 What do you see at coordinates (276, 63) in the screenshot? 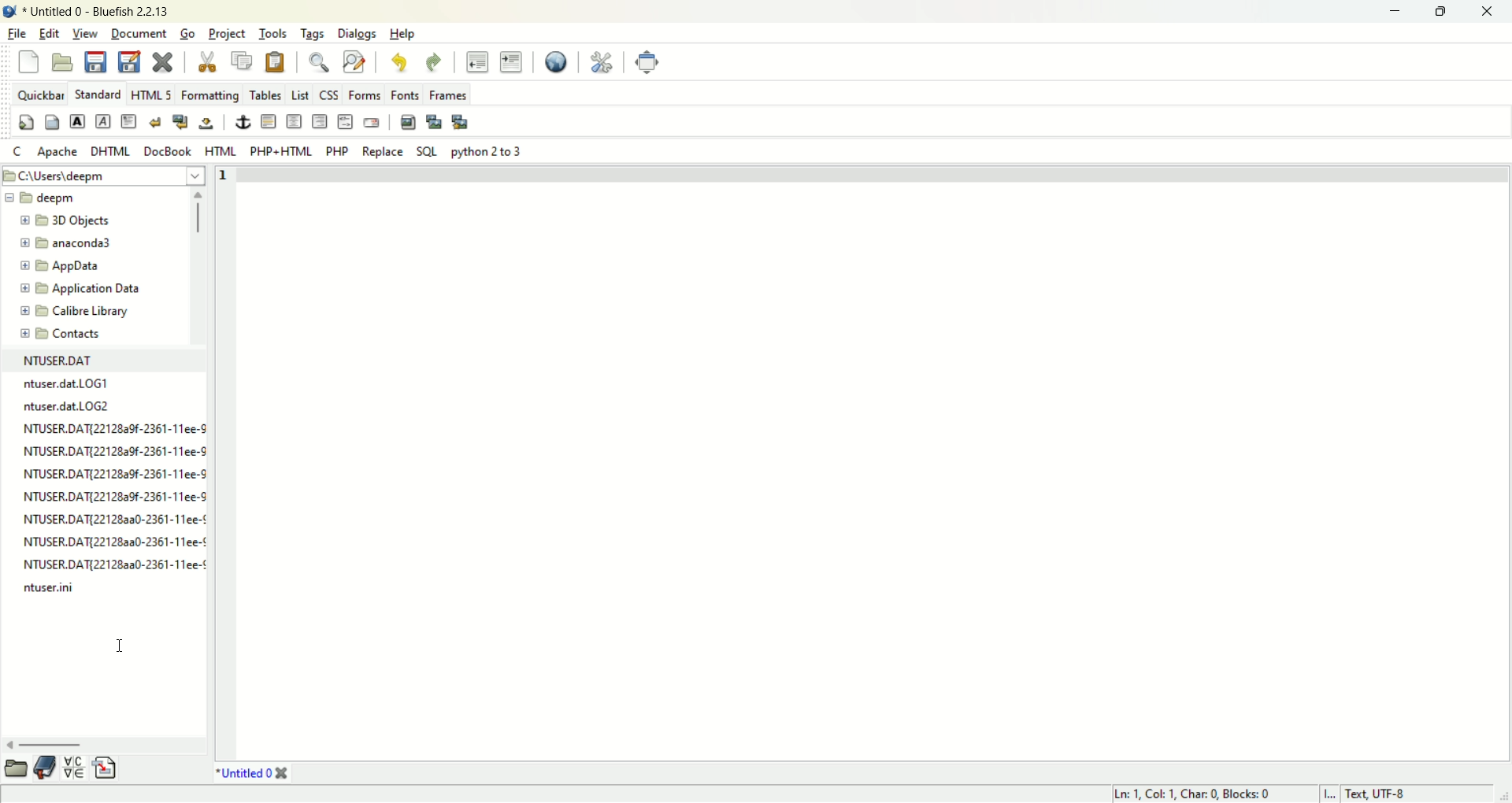
I see `paste` at bounding box center [276, 63].